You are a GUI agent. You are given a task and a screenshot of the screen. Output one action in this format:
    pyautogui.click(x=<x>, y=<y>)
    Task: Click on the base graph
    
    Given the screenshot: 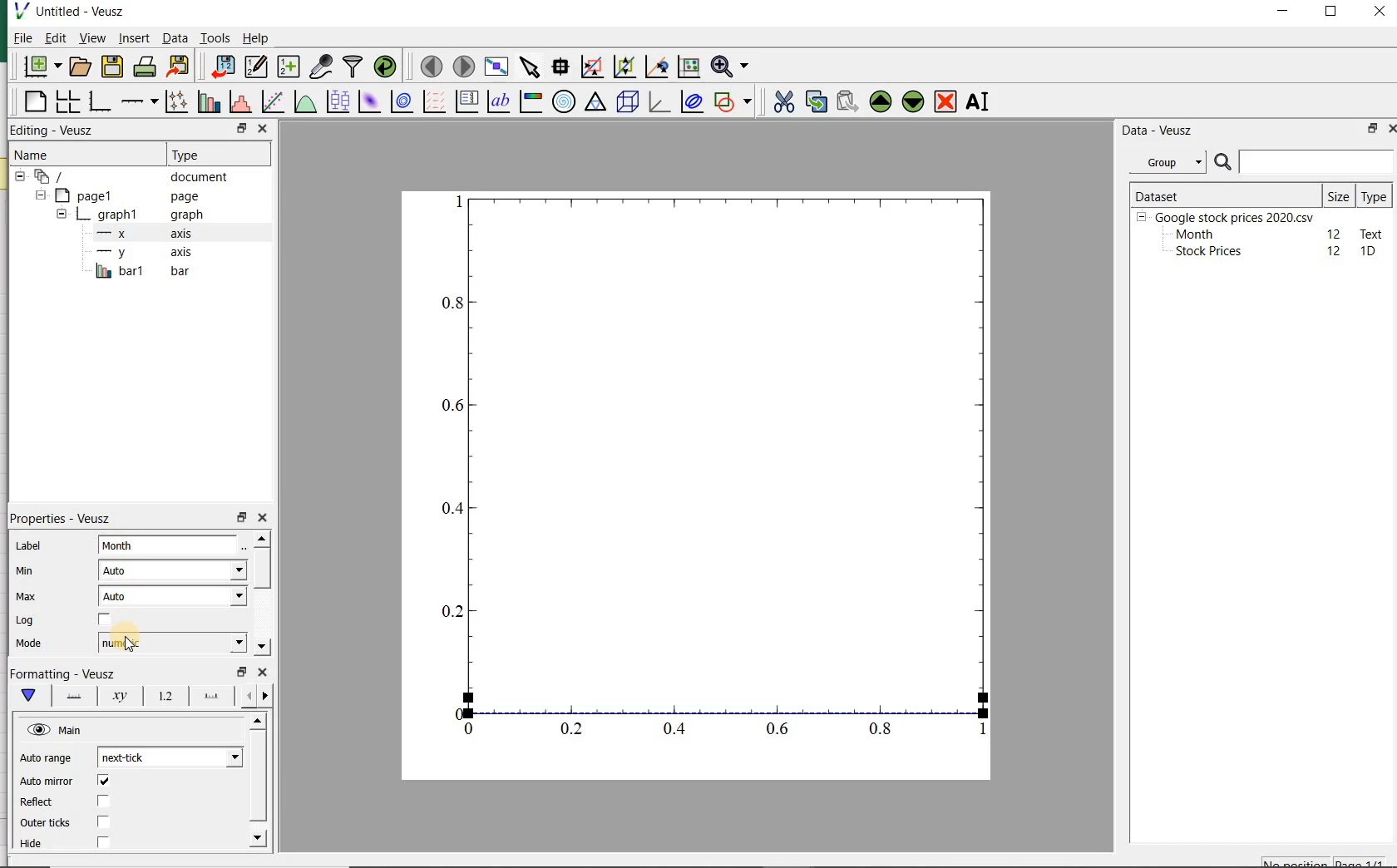 What is the action you would take?
    pyautogui.click(x=99, y=102)
    